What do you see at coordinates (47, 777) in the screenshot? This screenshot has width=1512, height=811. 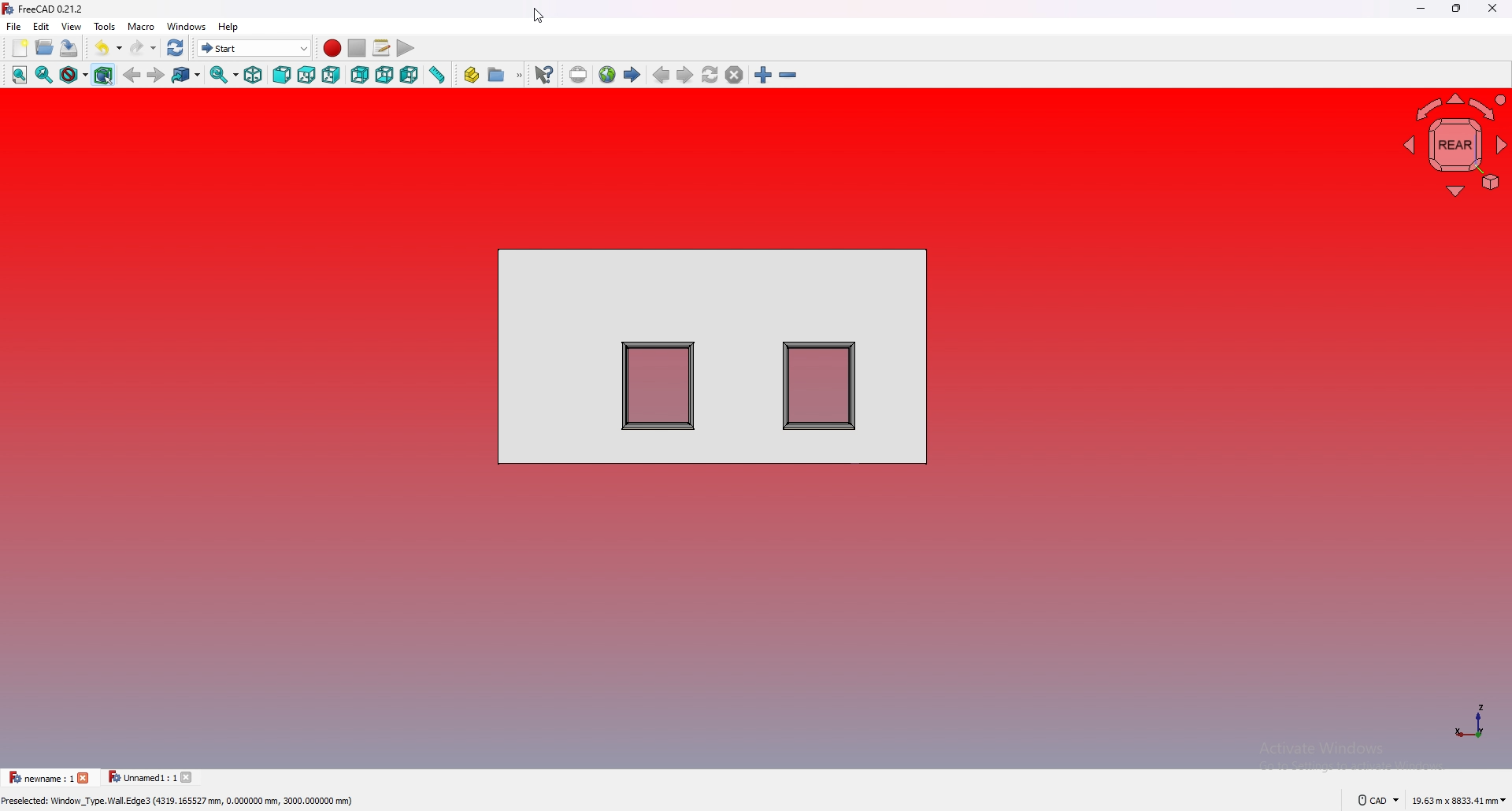 I see `tab 1` at bounding box center [47, 777].